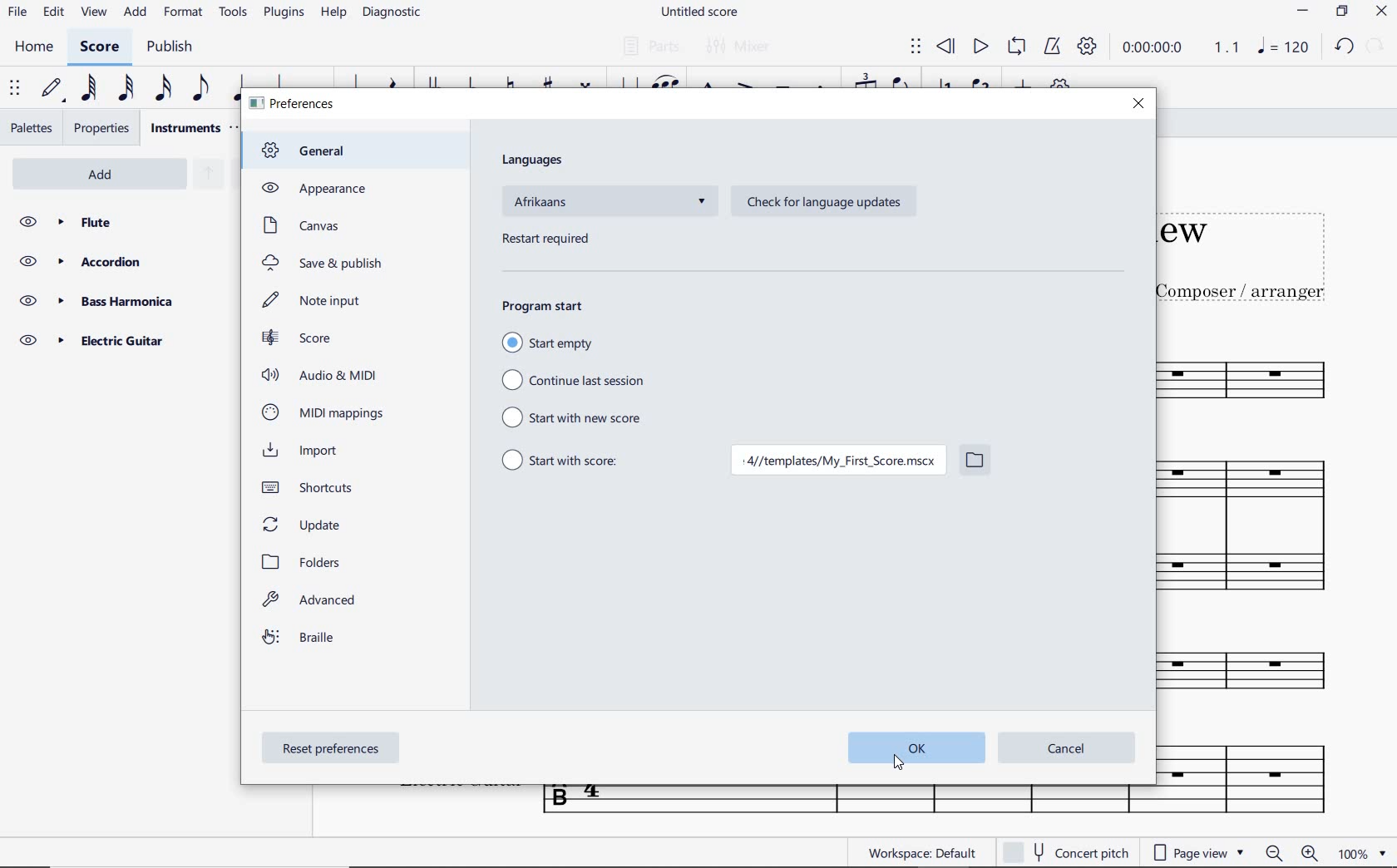  Describe the element at coordinates (1383, 13) in the screenshot. I see `CLOSE ` at that location.